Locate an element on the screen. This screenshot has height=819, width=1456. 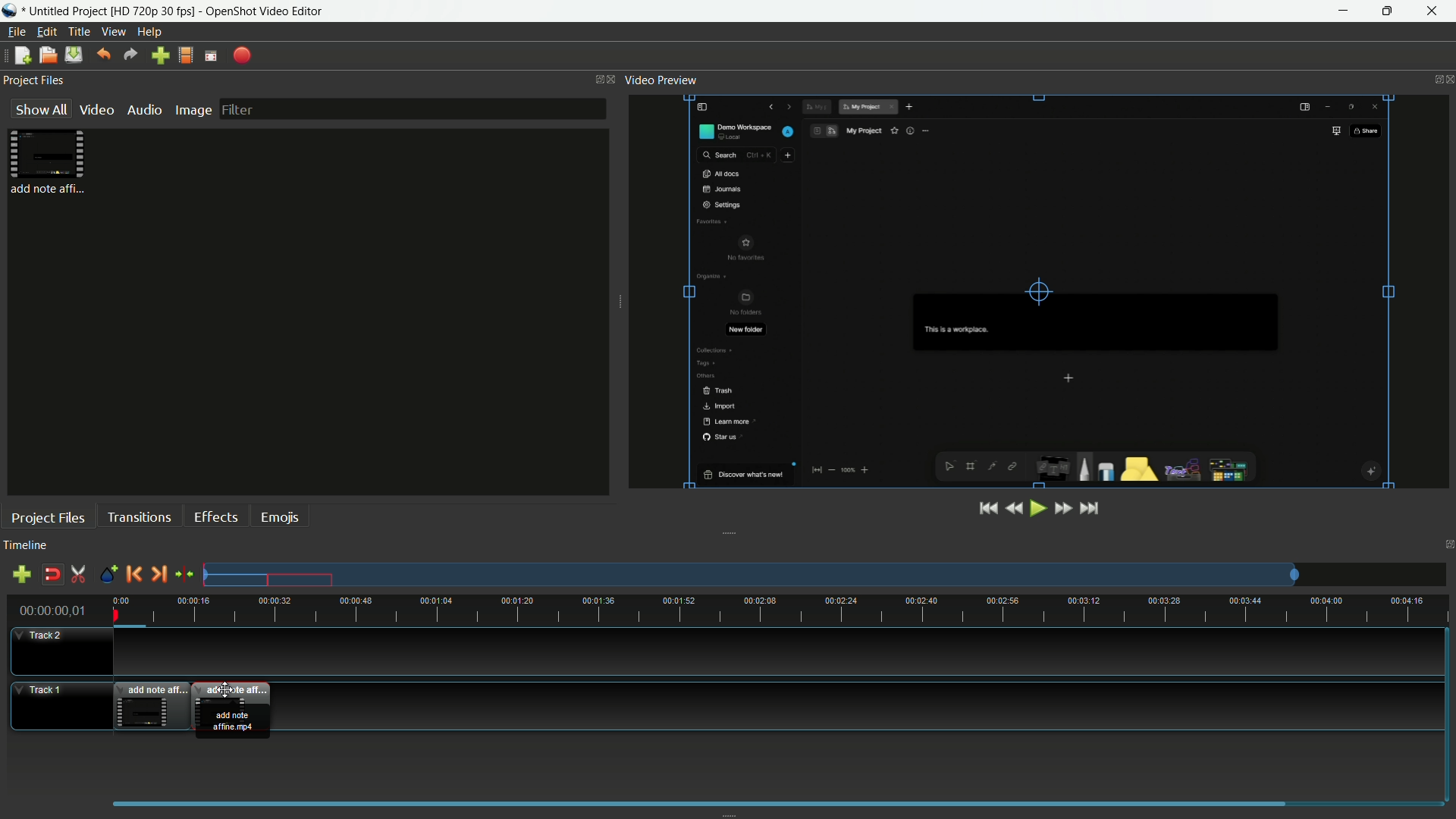
image is located at coordinates (193, 109).